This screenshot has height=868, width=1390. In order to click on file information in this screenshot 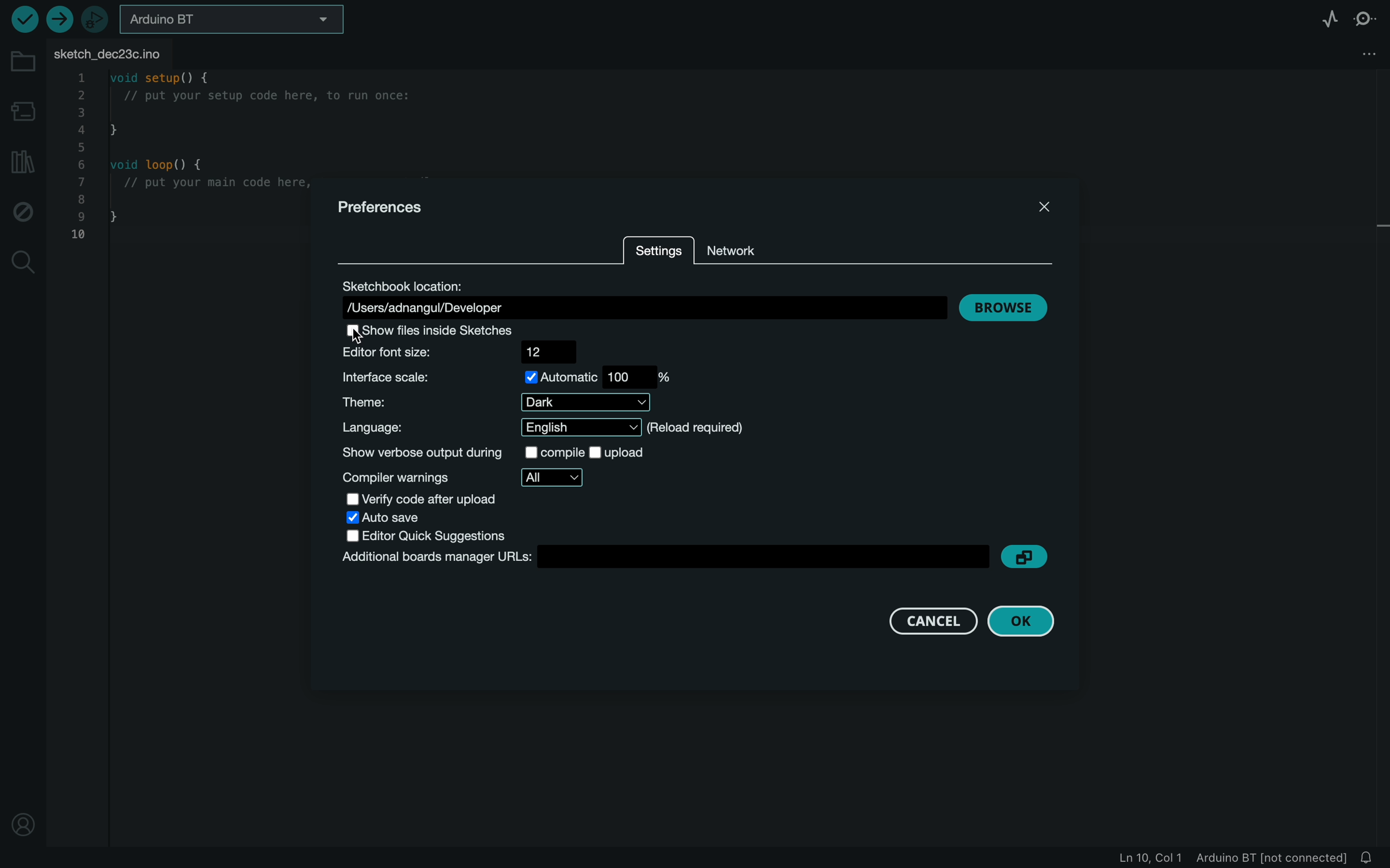, I will do `click(1230, 857)`.